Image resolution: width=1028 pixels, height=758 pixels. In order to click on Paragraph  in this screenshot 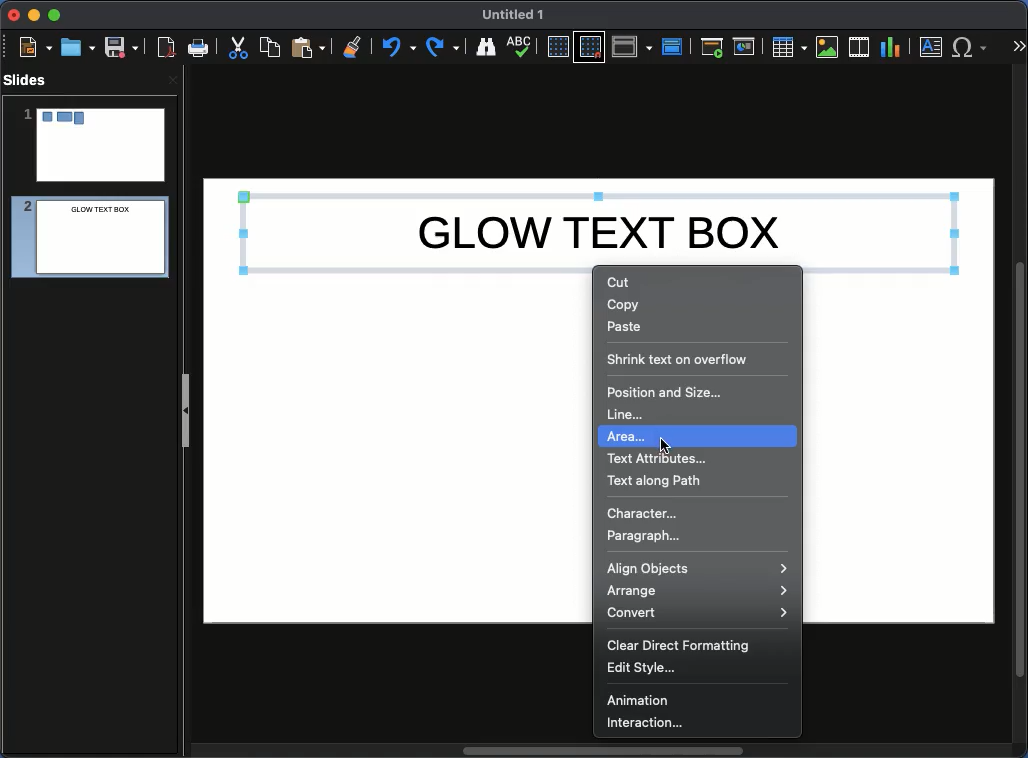, I will do `click(645, 536)`.